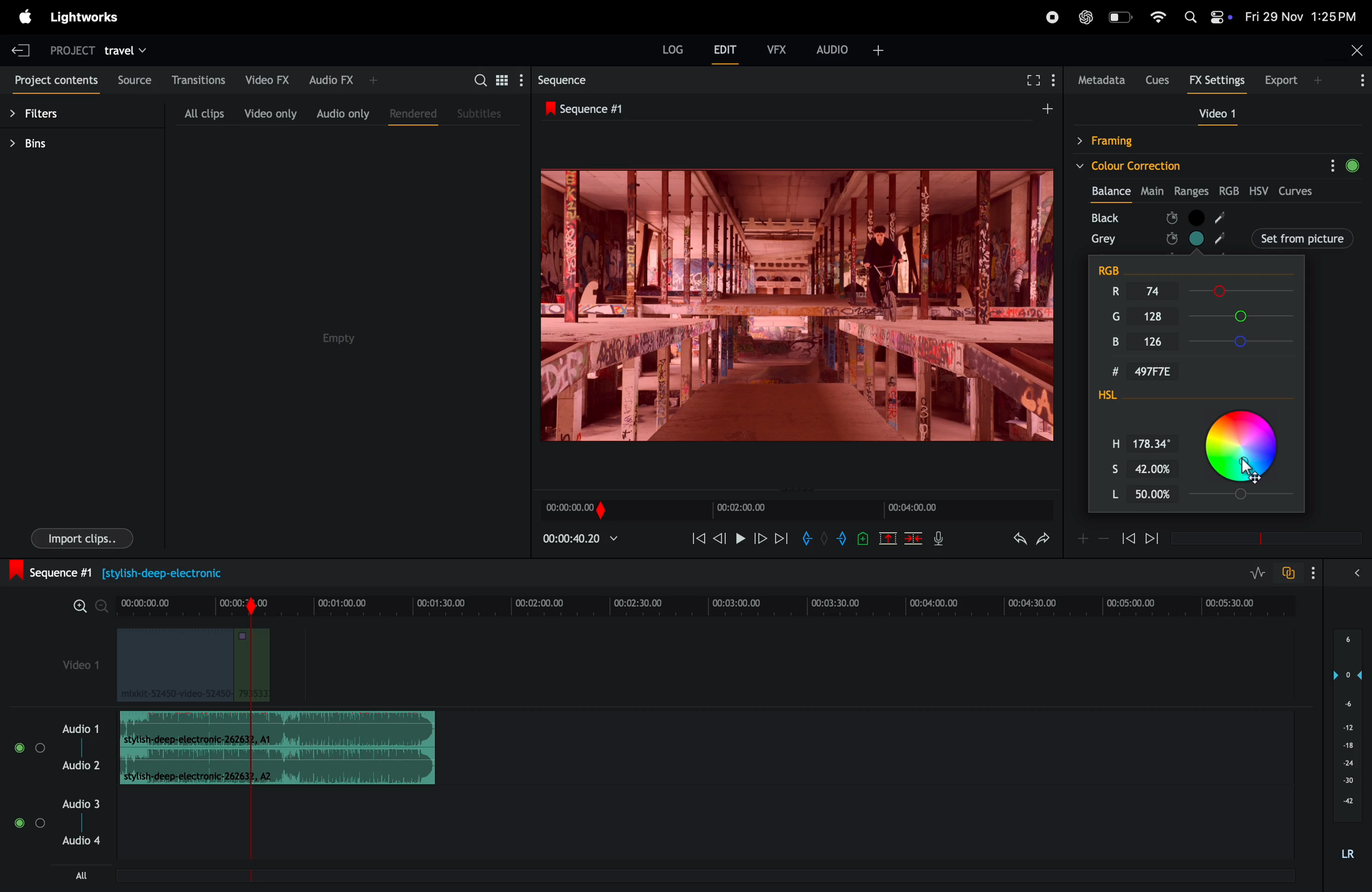  What do you see at coordinates (83, 803) in the screenshot?
I see `Audio 3` at bounding box center [83, 803].